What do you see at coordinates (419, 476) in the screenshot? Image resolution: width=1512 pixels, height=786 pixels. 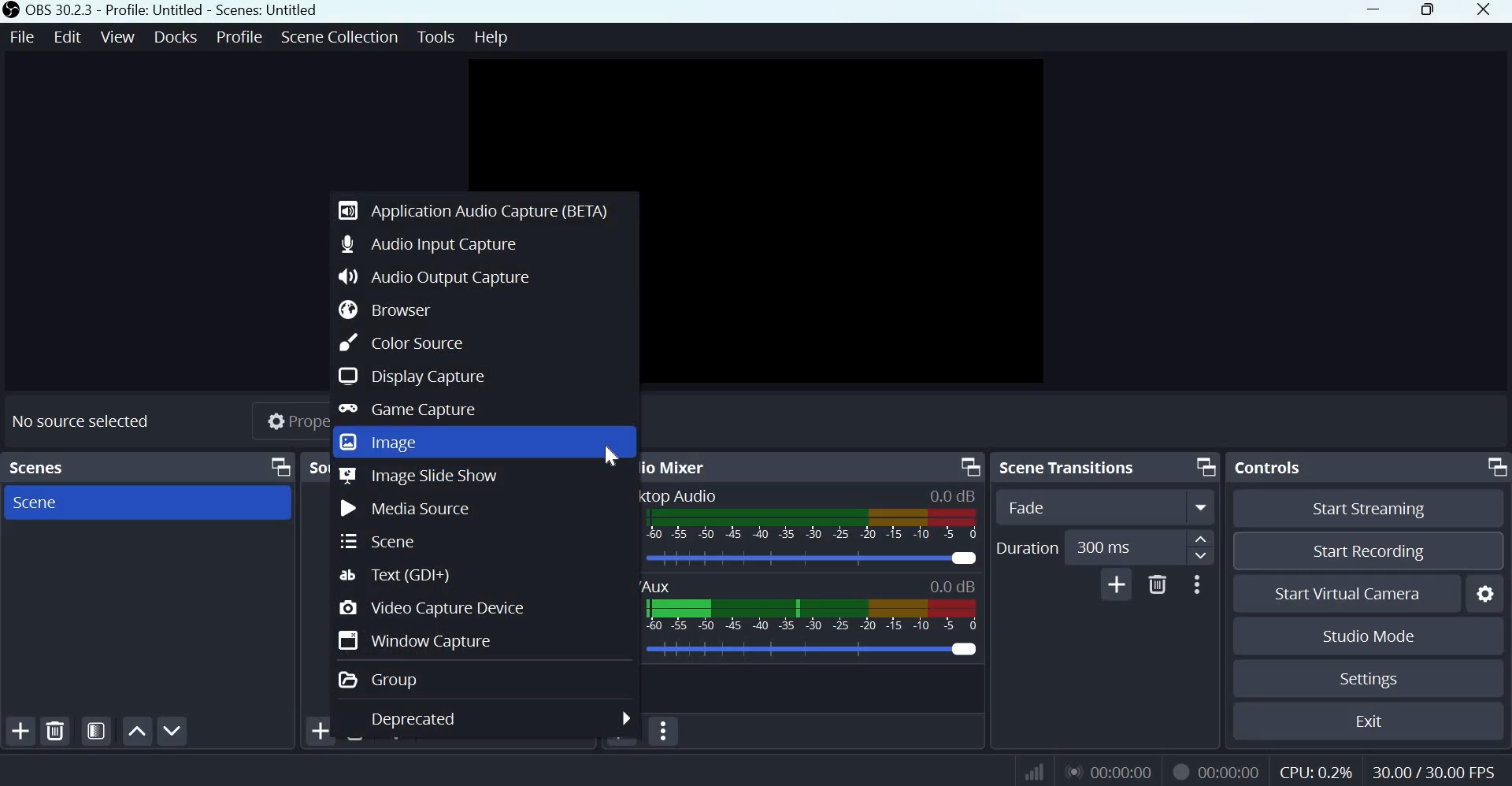 I see `Image slide show` at bounding box center [419, 476].